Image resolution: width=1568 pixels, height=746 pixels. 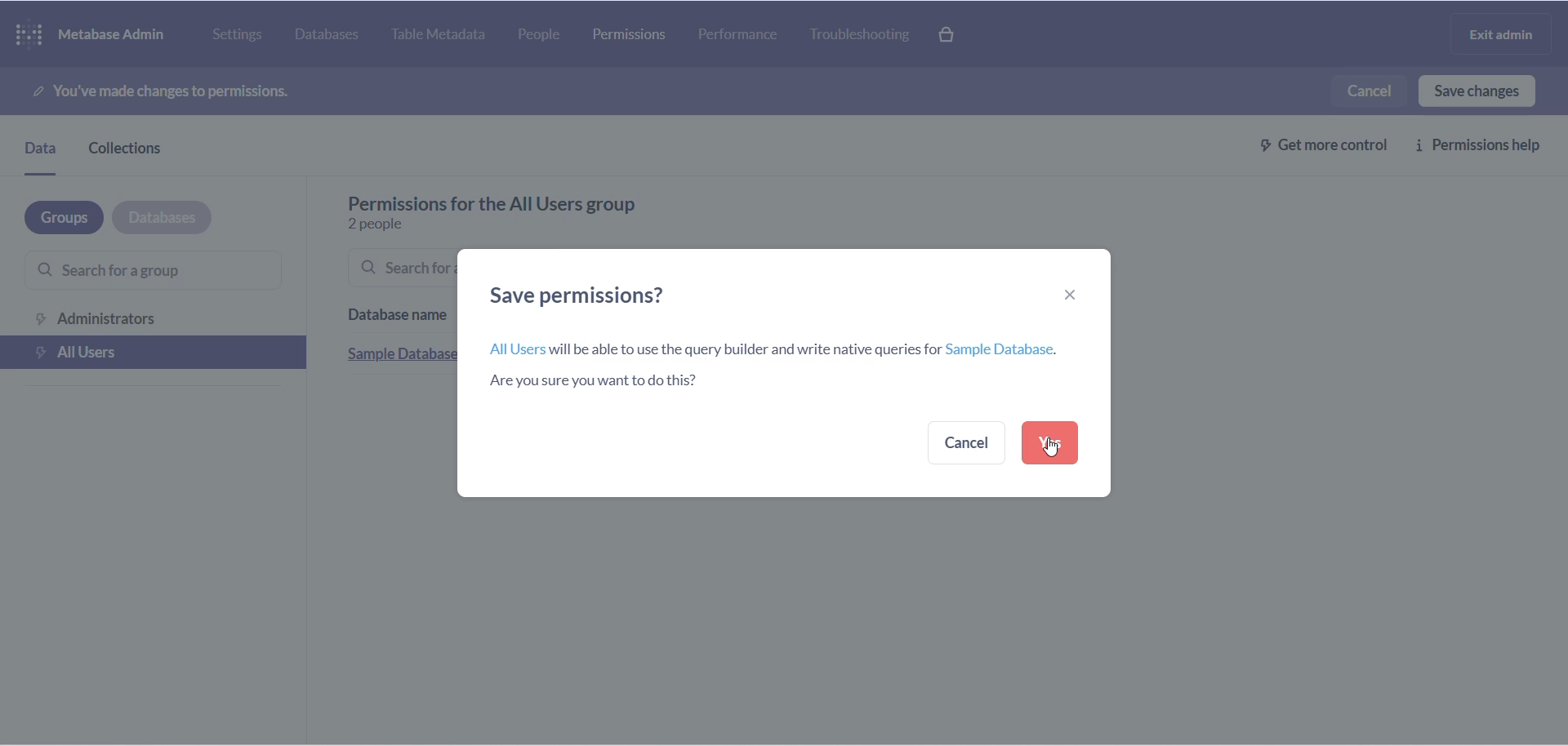 What do you see at coordinates (1483, 145) in the screenshot?
I see `permission help` at bounding box center [1483, 145].